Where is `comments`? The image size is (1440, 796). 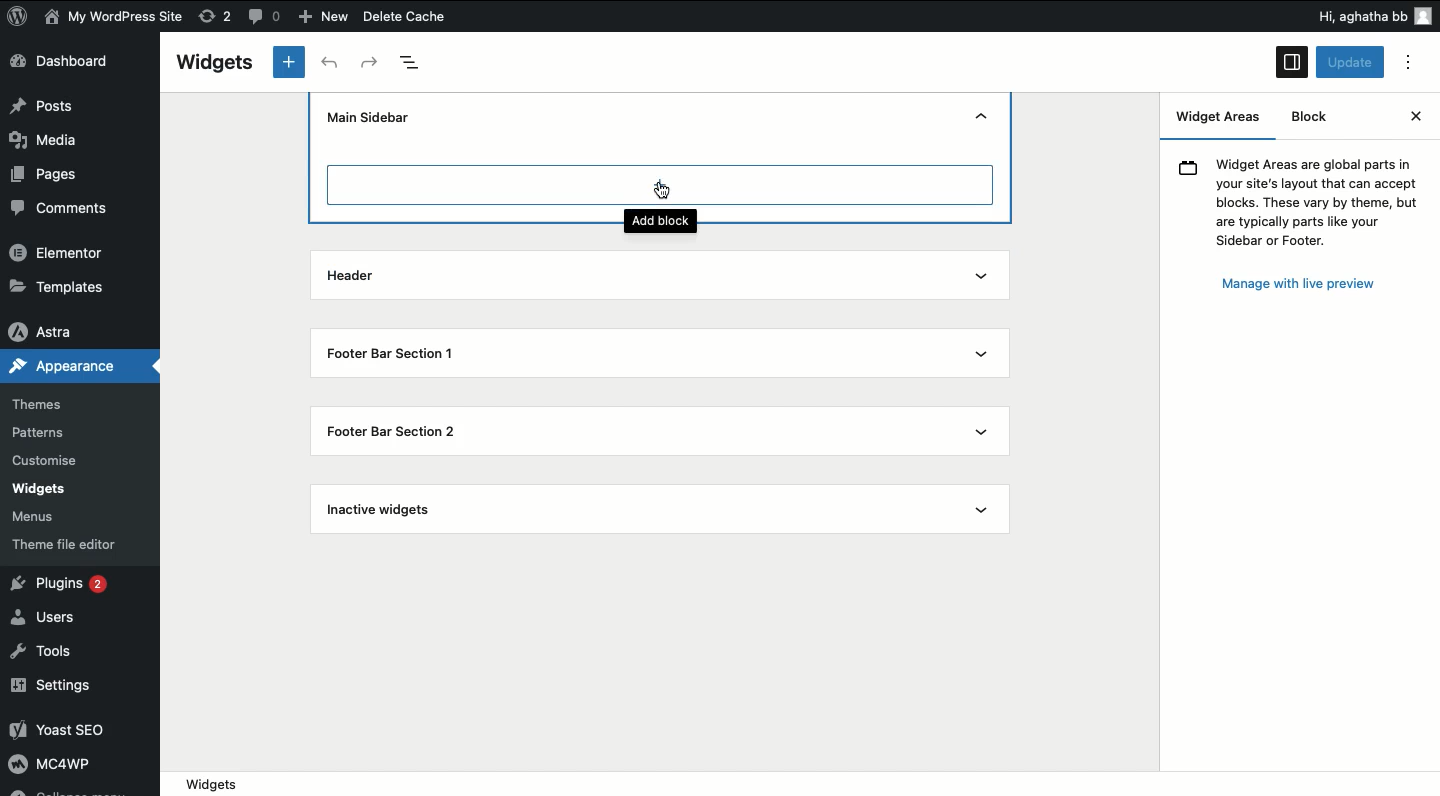
comments is located at coordinates (266, 18).